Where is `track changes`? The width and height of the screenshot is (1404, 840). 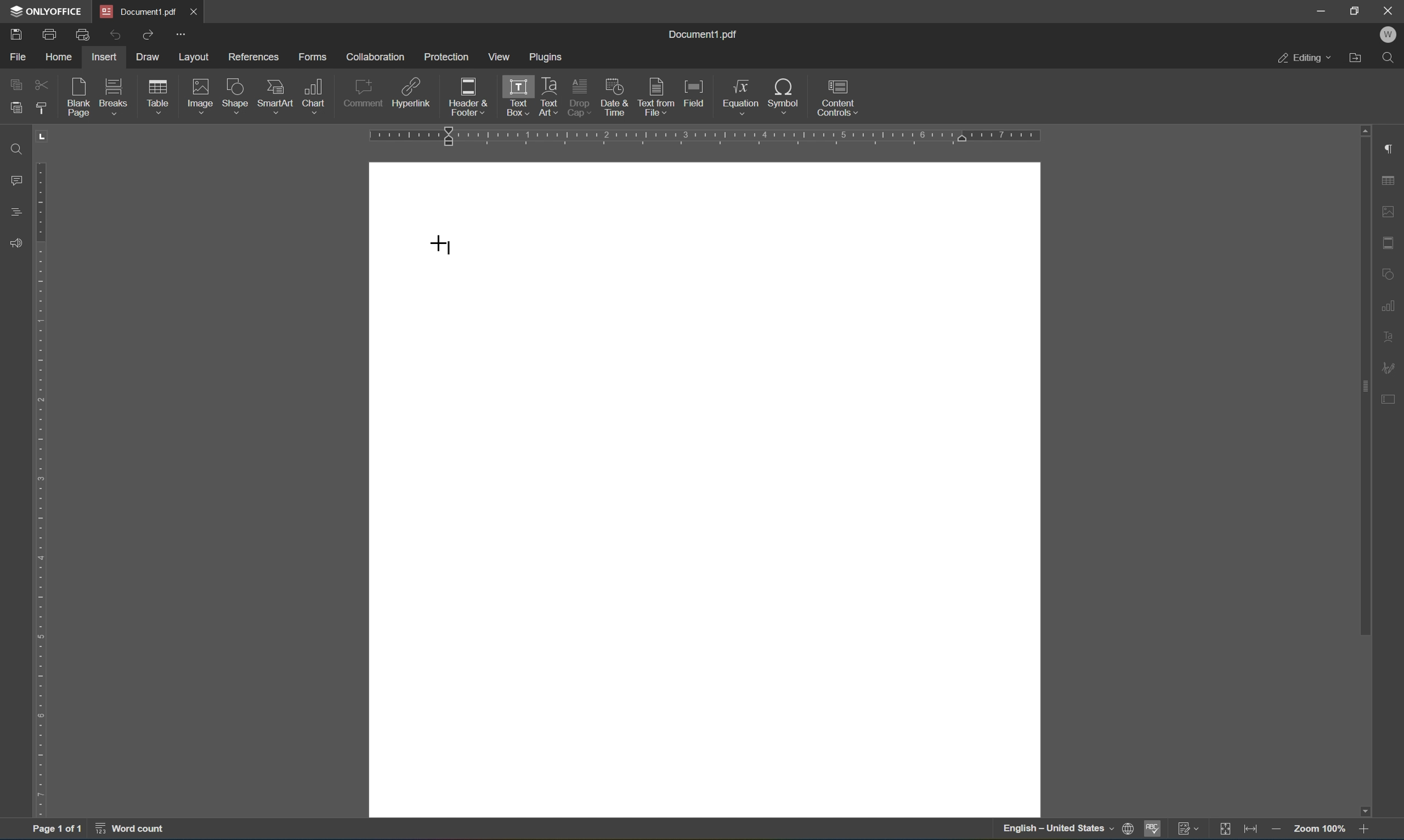 track changes is located at coordinates (1189, 830).